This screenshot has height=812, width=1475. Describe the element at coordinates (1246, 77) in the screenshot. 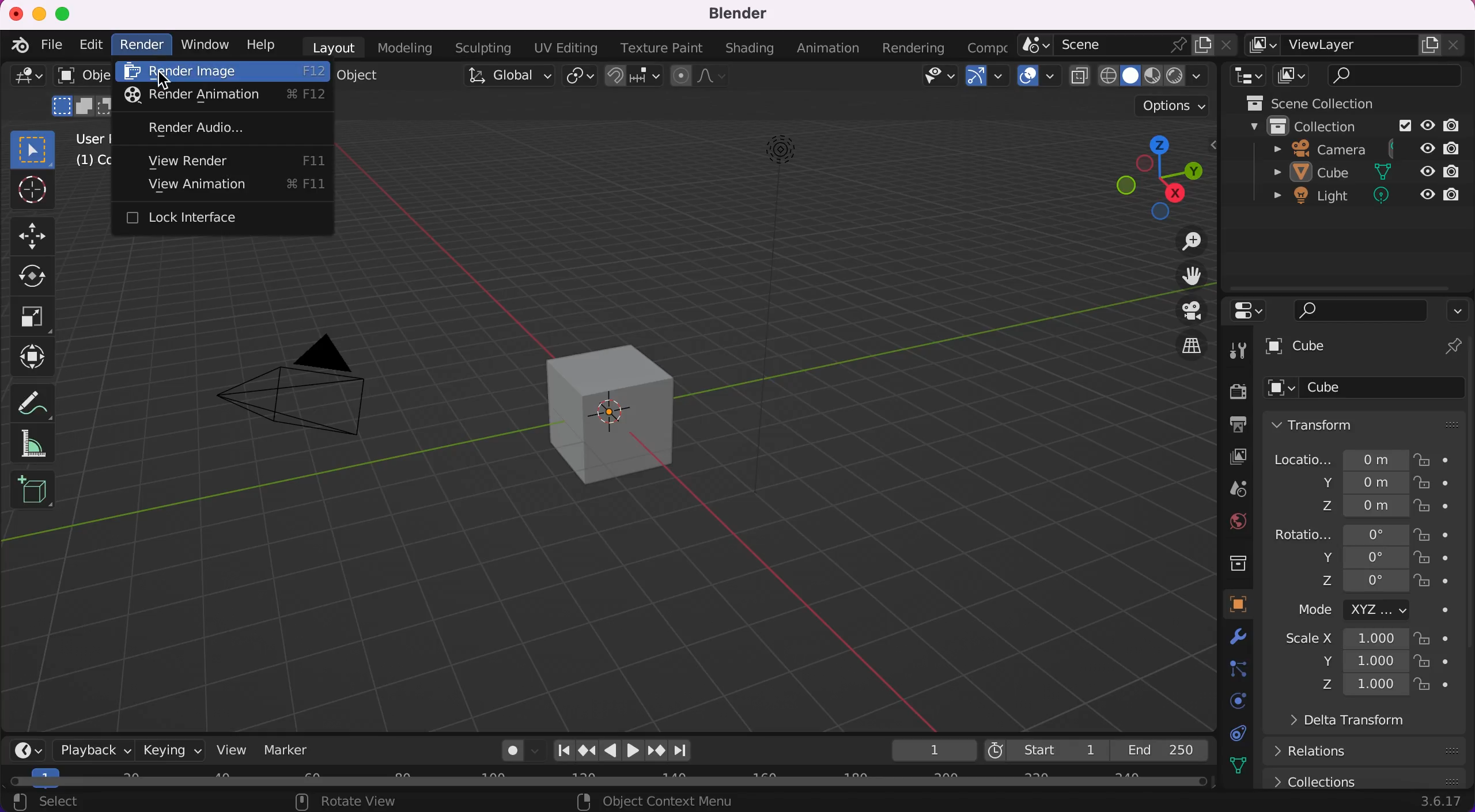

I see `editor type` at that location.